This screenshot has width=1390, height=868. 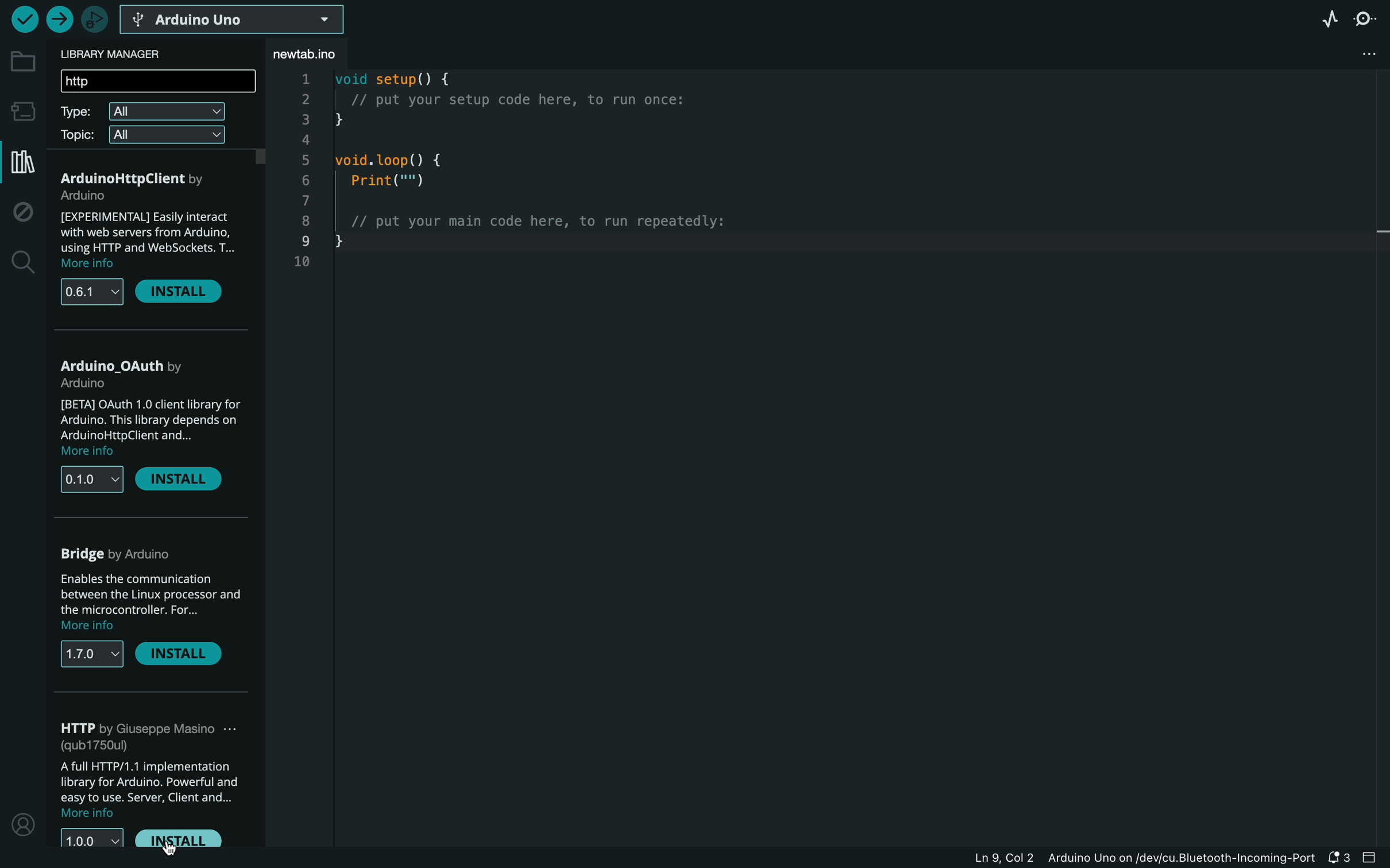 I want to click on search bar, so click(x=159, y=83).